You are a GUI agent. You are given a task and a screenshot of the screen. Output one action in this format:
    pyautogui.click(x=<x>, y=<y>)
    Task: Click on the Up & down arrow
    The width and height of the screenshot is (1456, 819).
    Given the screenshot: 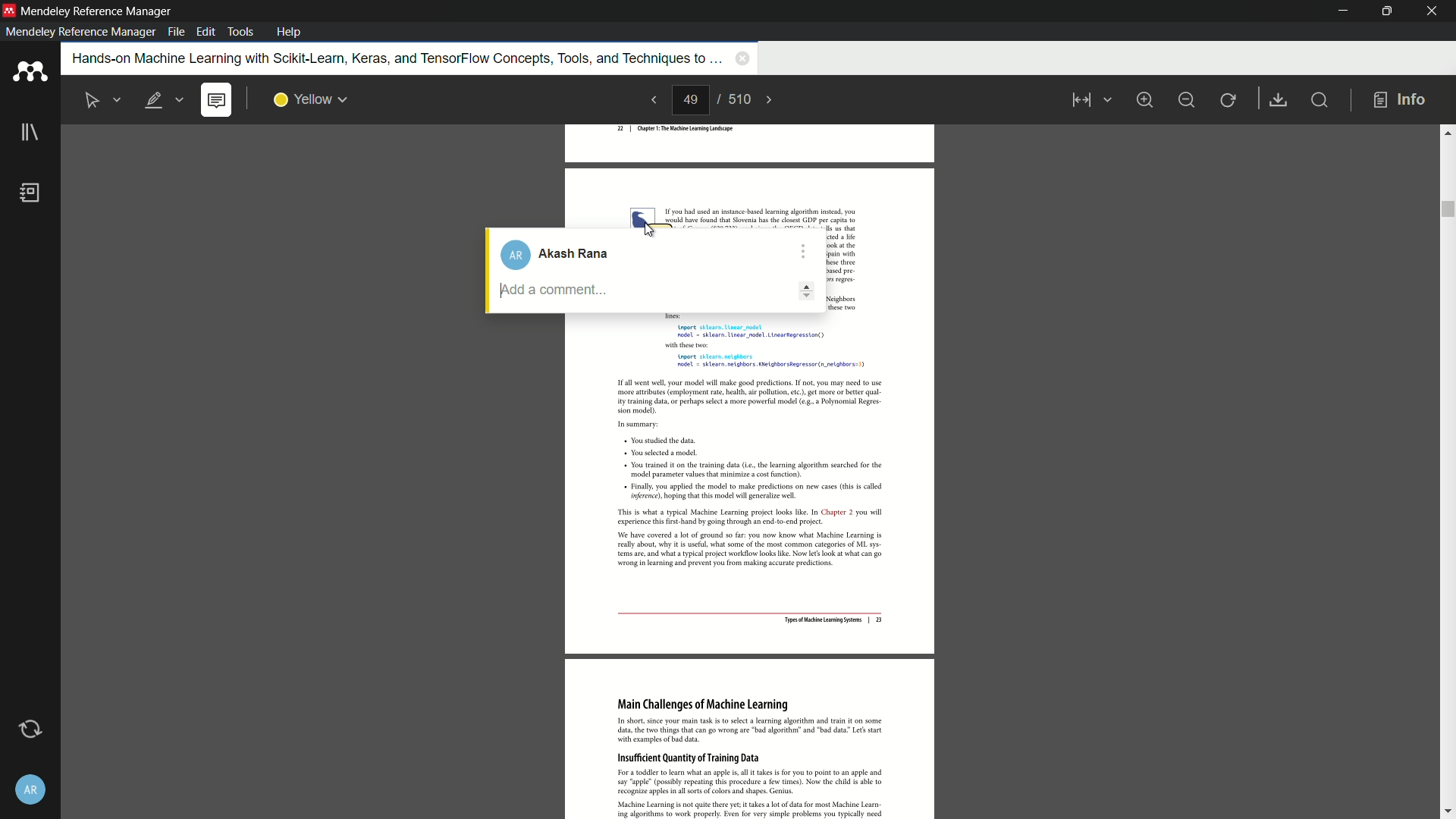 What is the action you would take?
    pyautogui.click(x=809, y=288)
    